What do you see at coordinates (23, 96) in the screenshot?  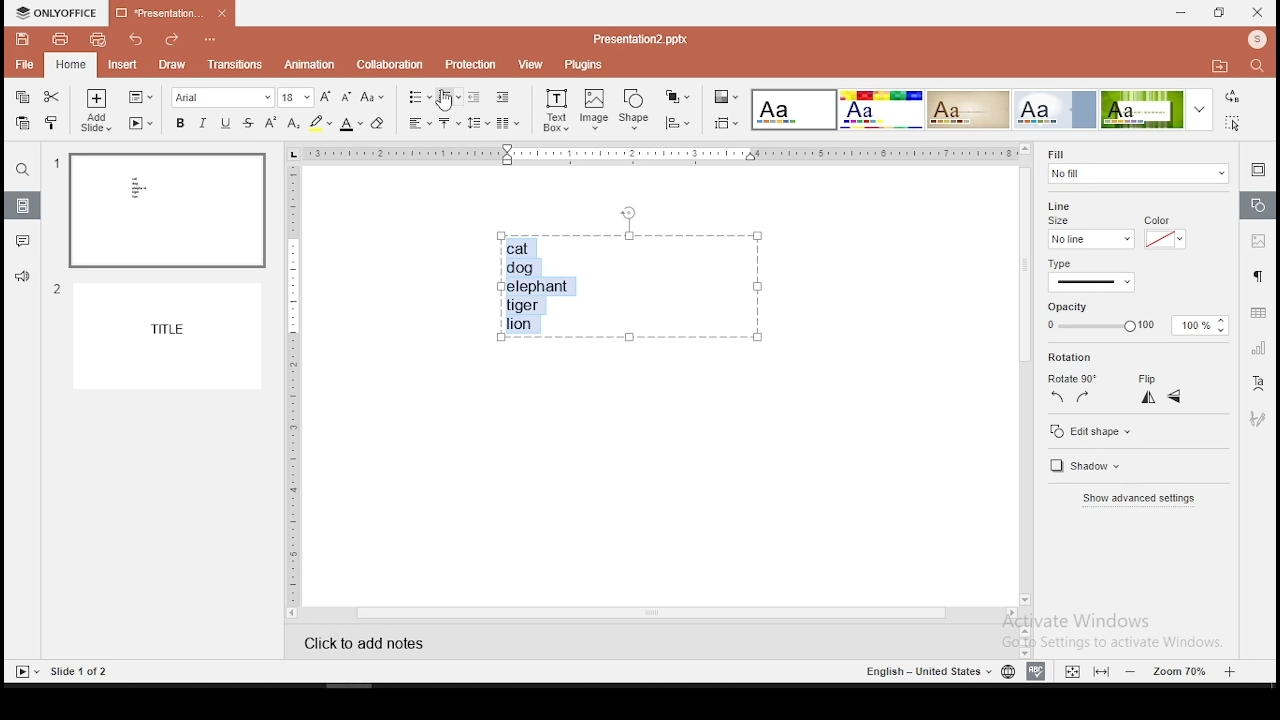 I see `copy` at bounding box center [23, 96].